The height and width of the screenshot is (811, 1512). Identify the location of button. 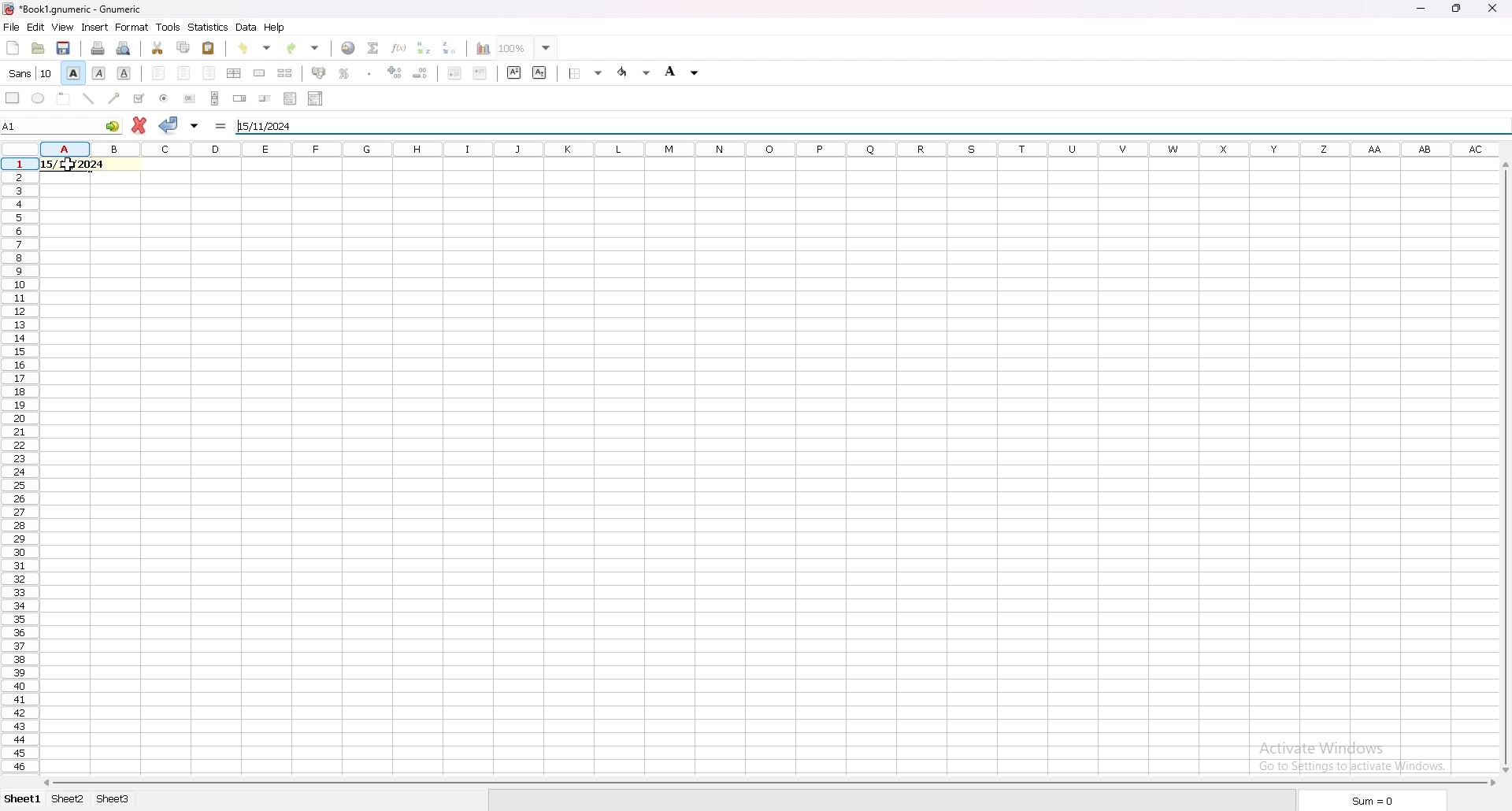
(189, 99).